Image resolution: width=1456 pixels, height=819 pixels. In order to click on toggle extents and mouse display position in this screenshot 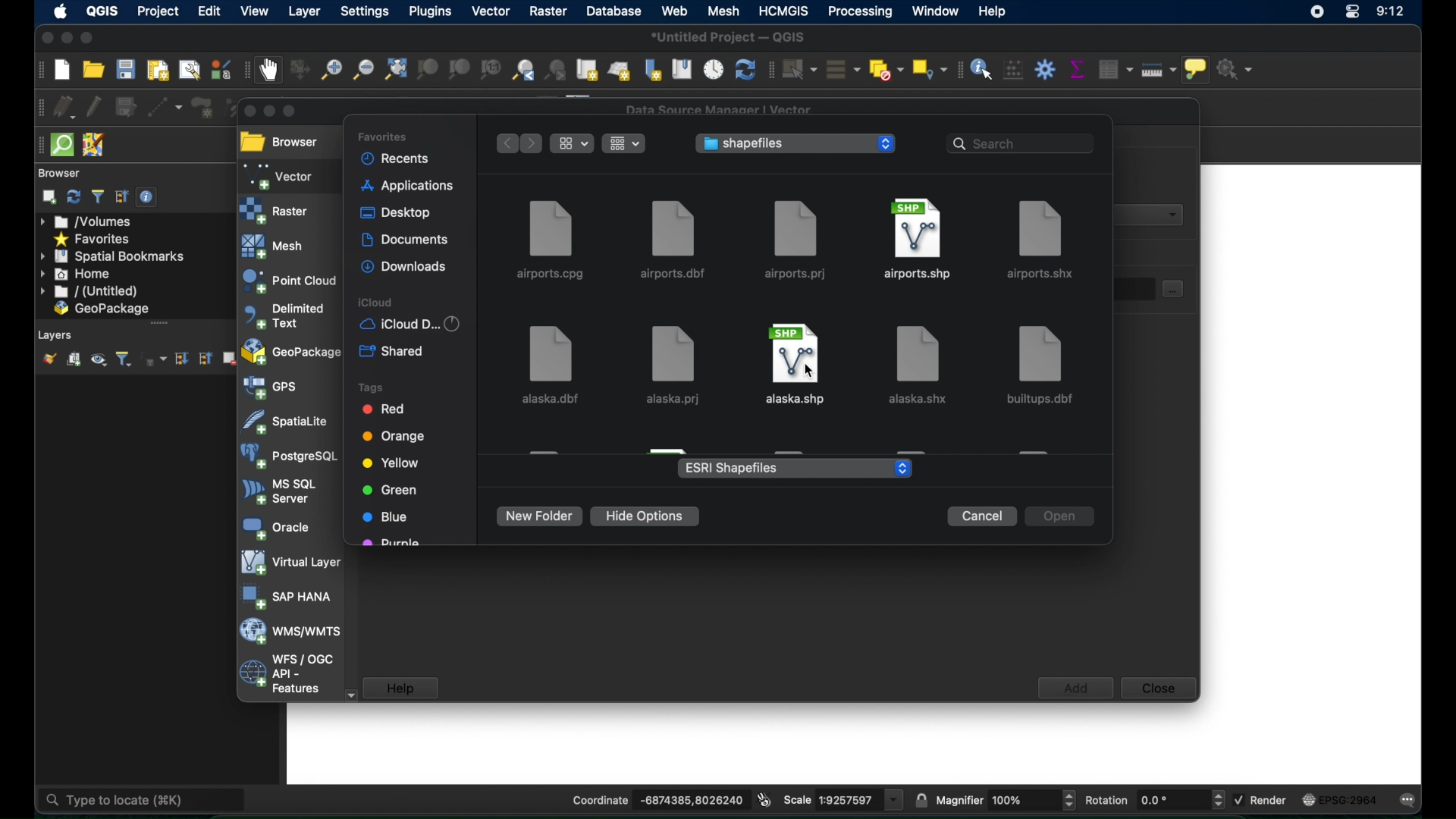, I will do `click(764, 799)`.